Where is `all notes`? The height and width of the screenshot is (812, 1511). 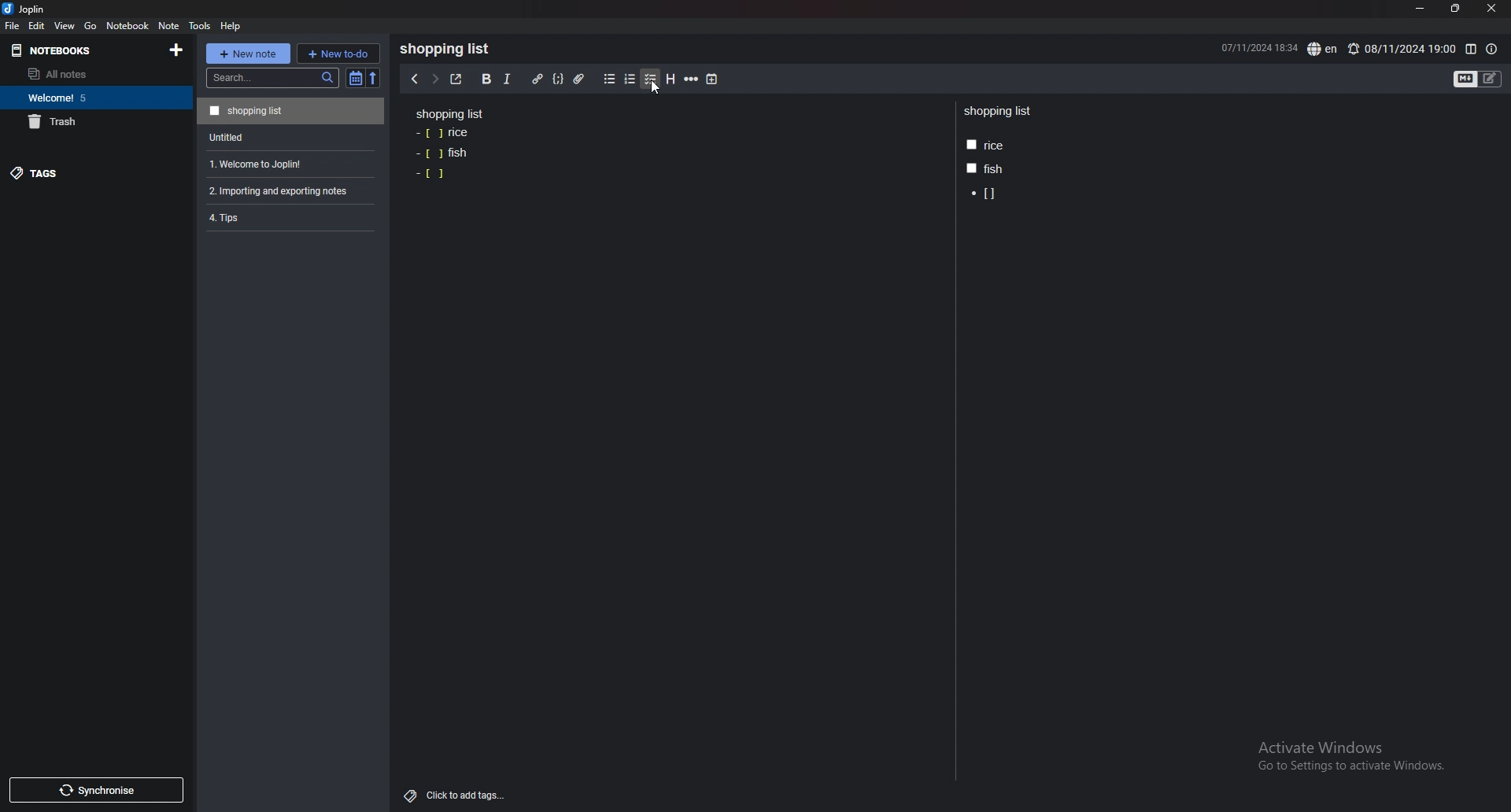 all notes is located at coordinates (89, 74).